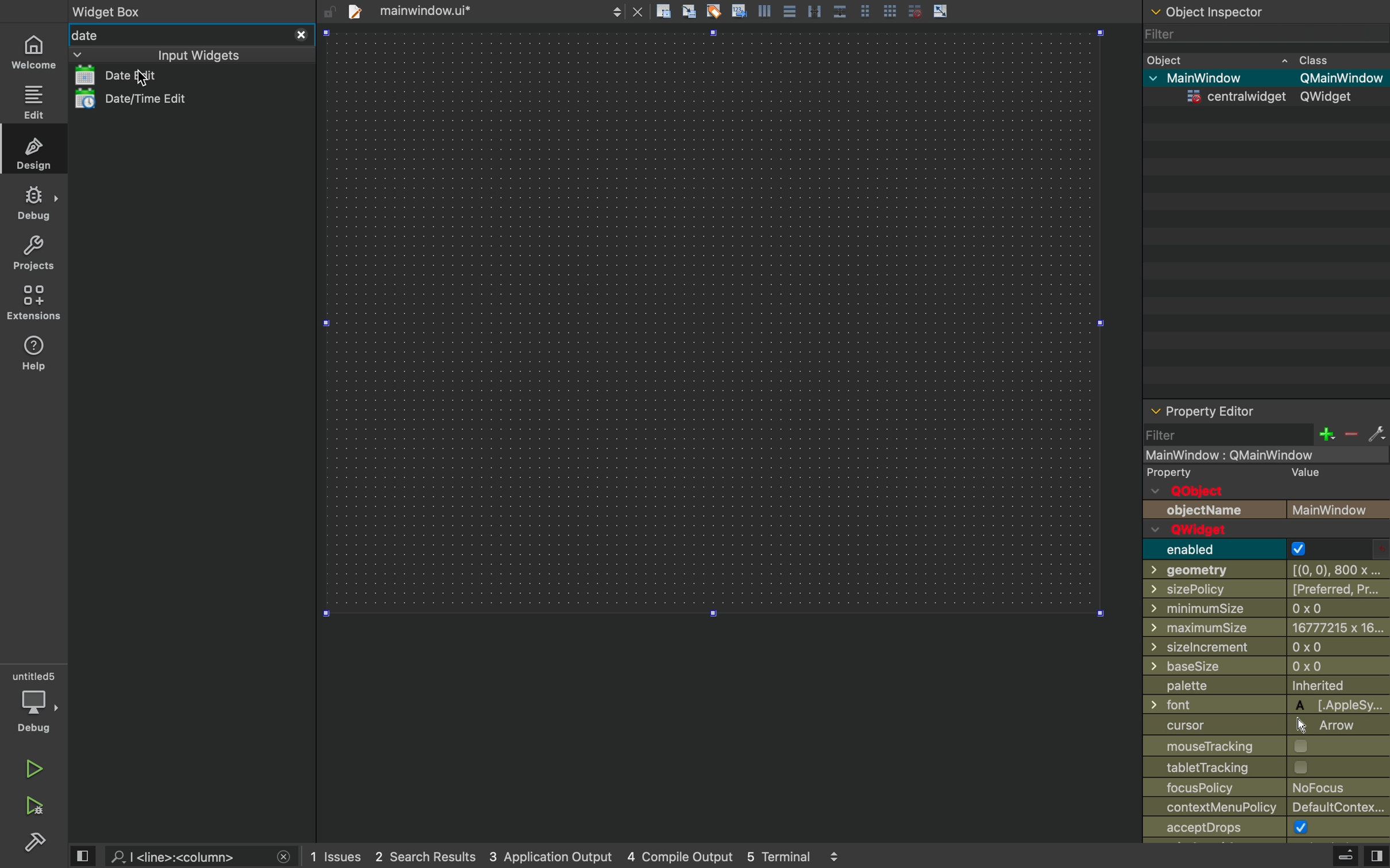  What do you see at coordinates (690, 11) in the screenshot?
I see `align to grid` at bounding box center [690, 11].